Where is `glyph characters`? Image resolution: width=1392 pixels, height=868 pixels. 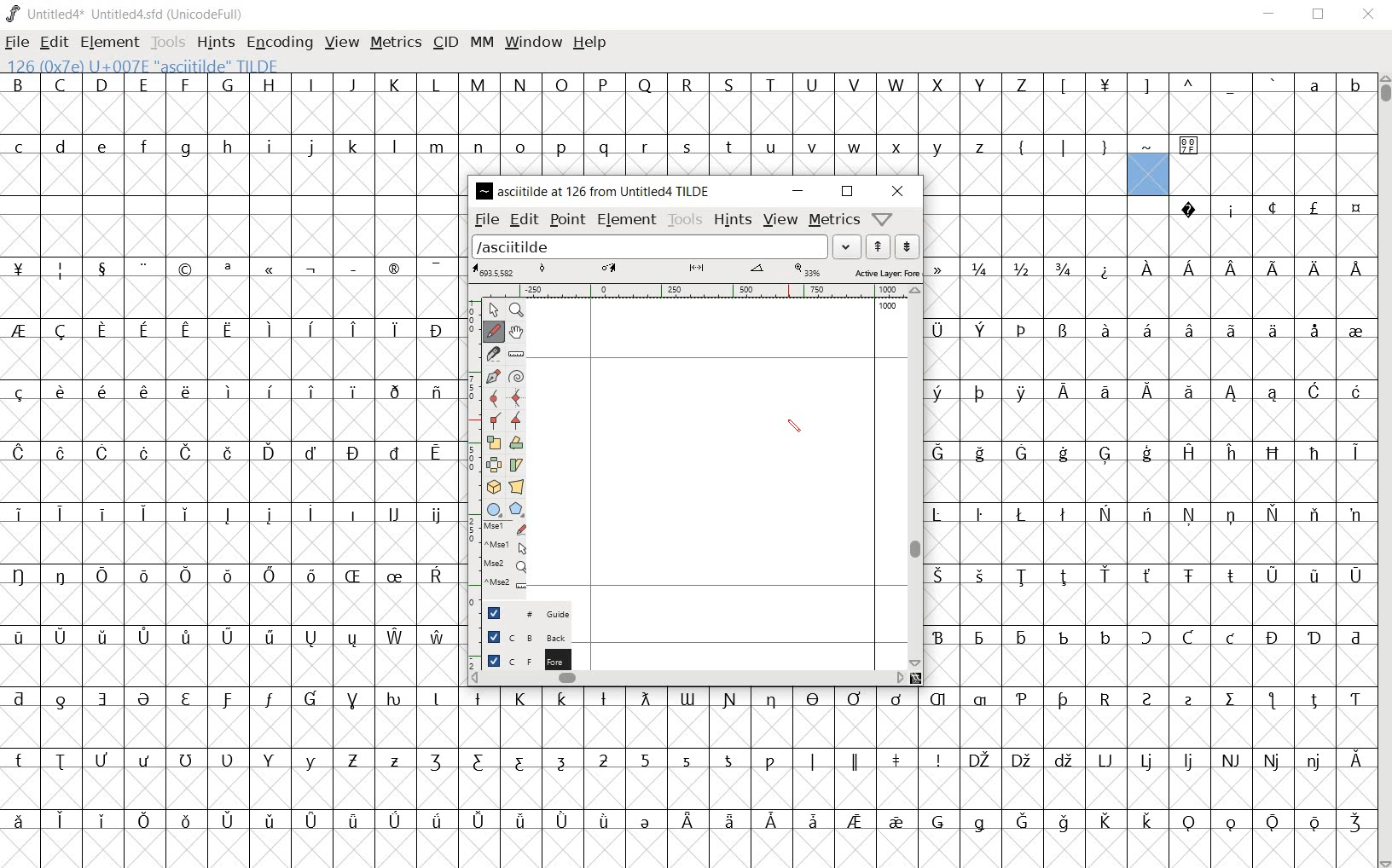 glyph characters is located at coordinates (918, 777).